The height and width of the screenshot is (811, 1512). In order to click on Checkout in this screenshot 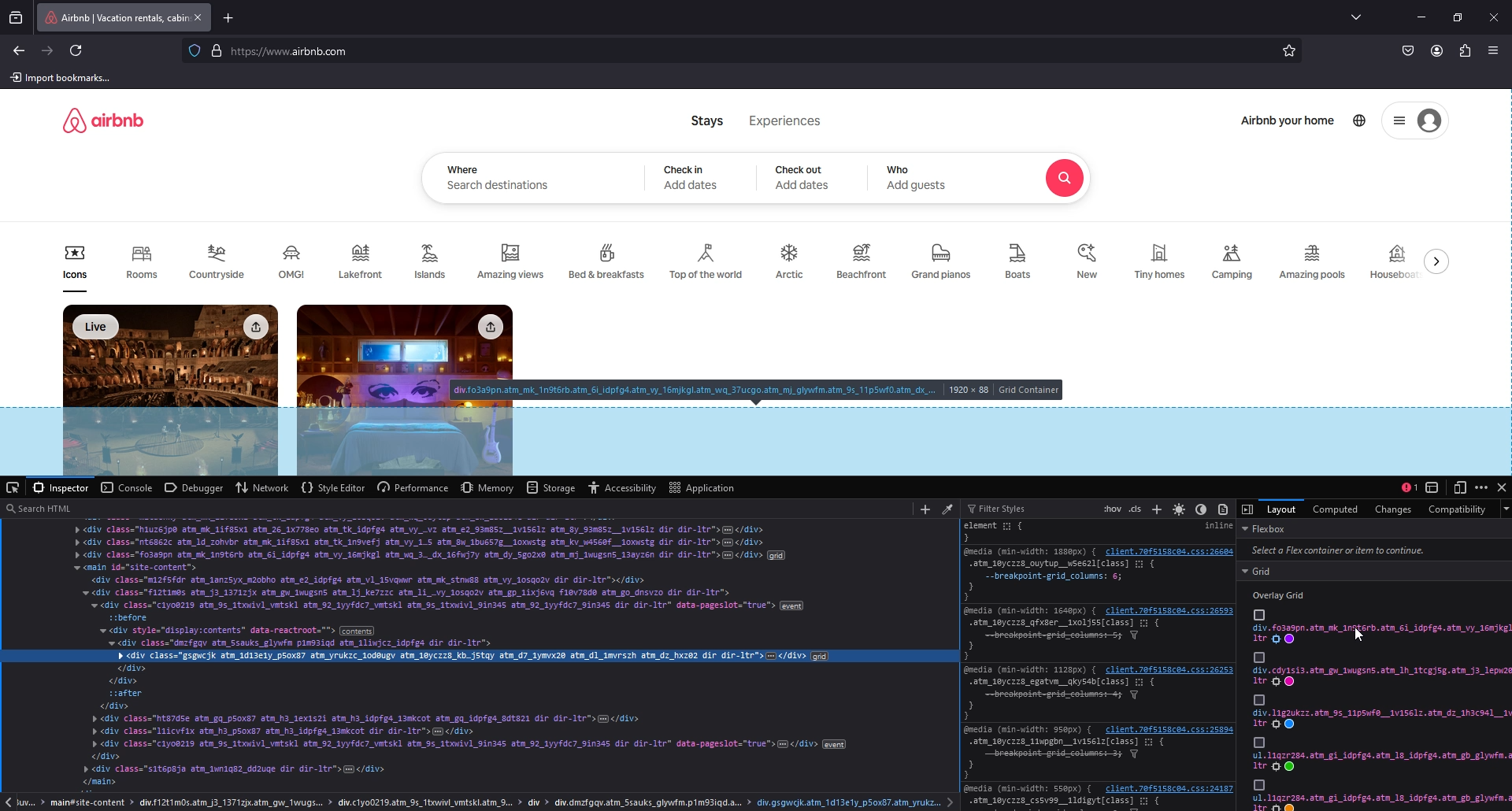, I will do `click(800, 169)`.